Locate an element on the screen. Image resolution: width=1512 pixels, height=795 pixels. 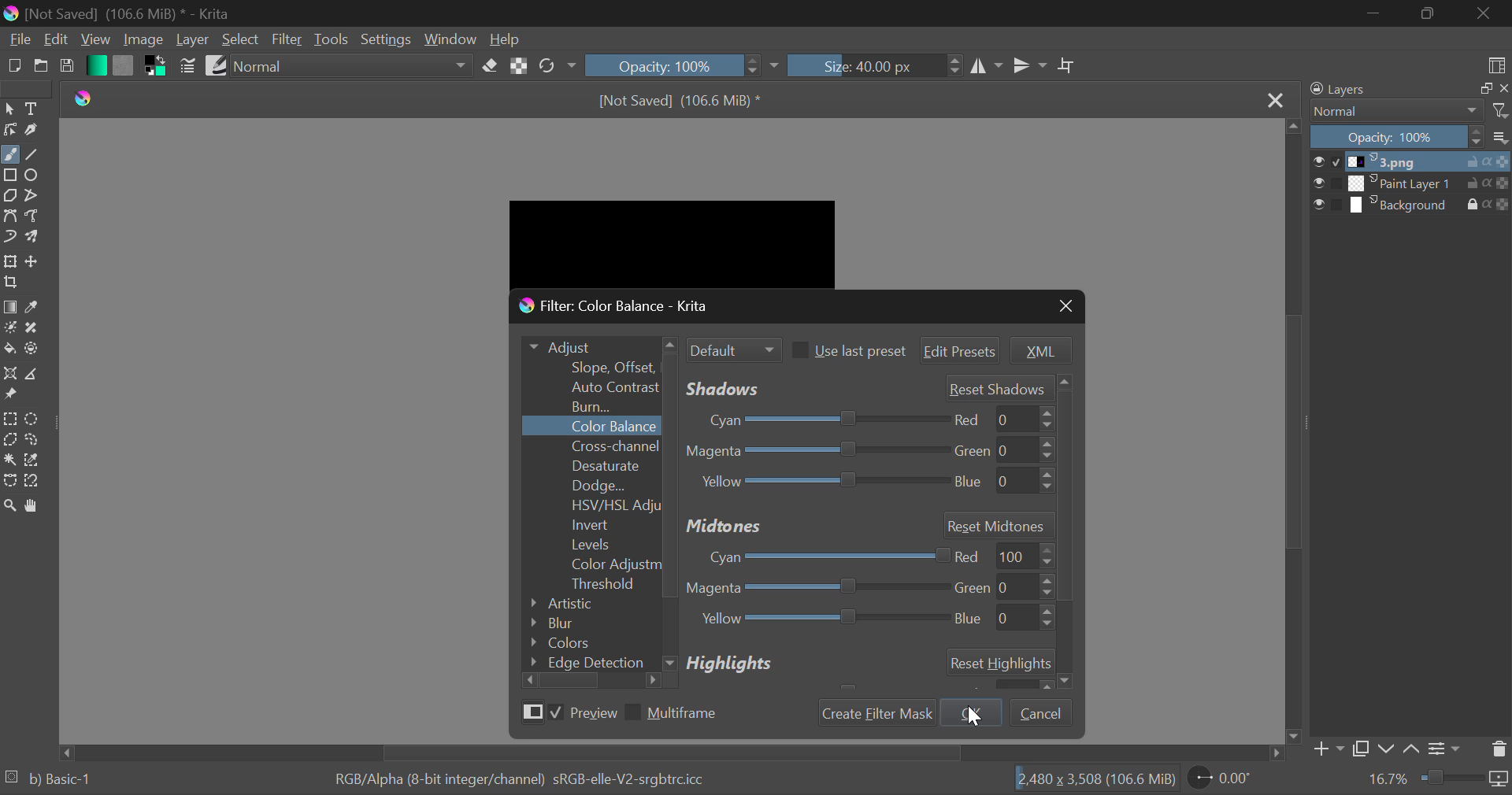
New is located at coordinates (14, 68).